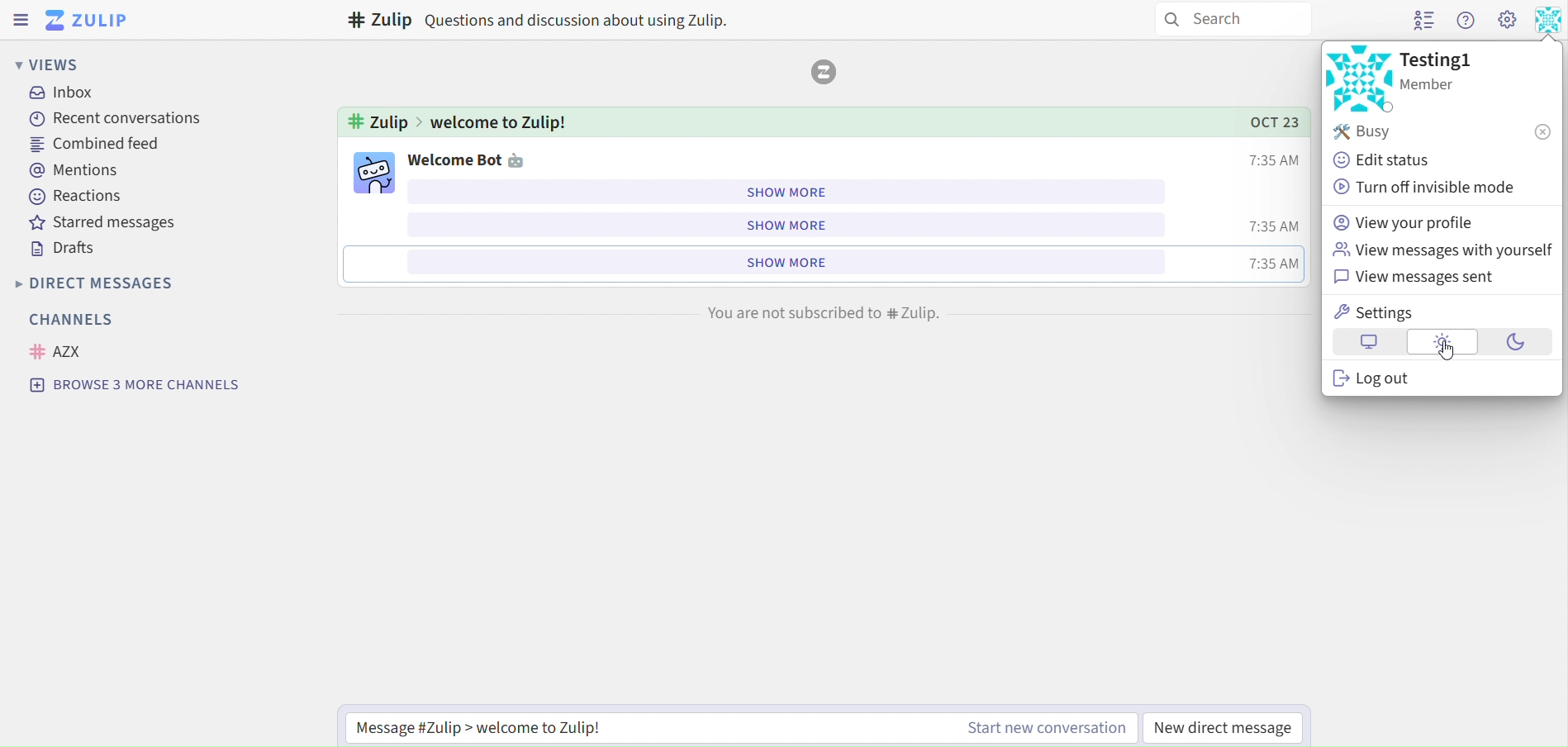  What do you see at coordinates (1430, 278) in the screenshot?
I see `view messages sentq` at bounding box center [1430, 278].